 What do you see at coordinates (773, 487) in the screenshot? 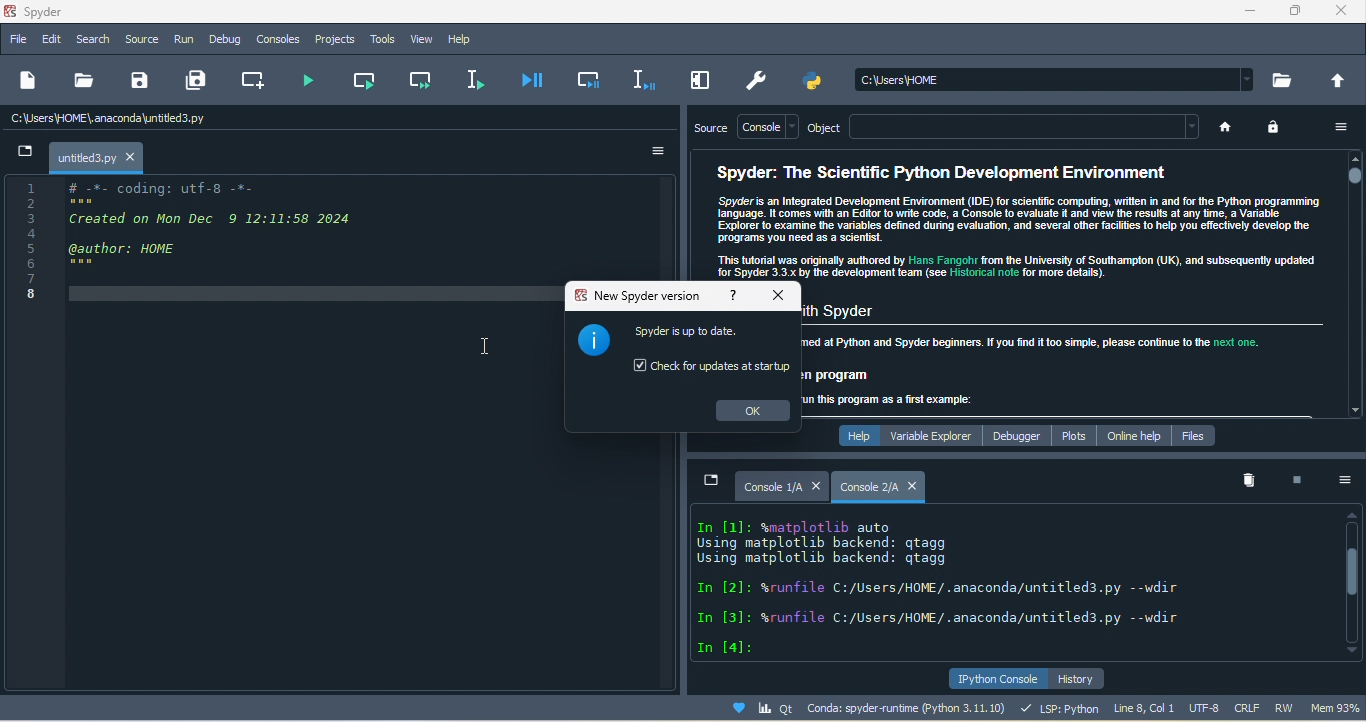
I see `Console 1/A` at bounding box center [773, 487].